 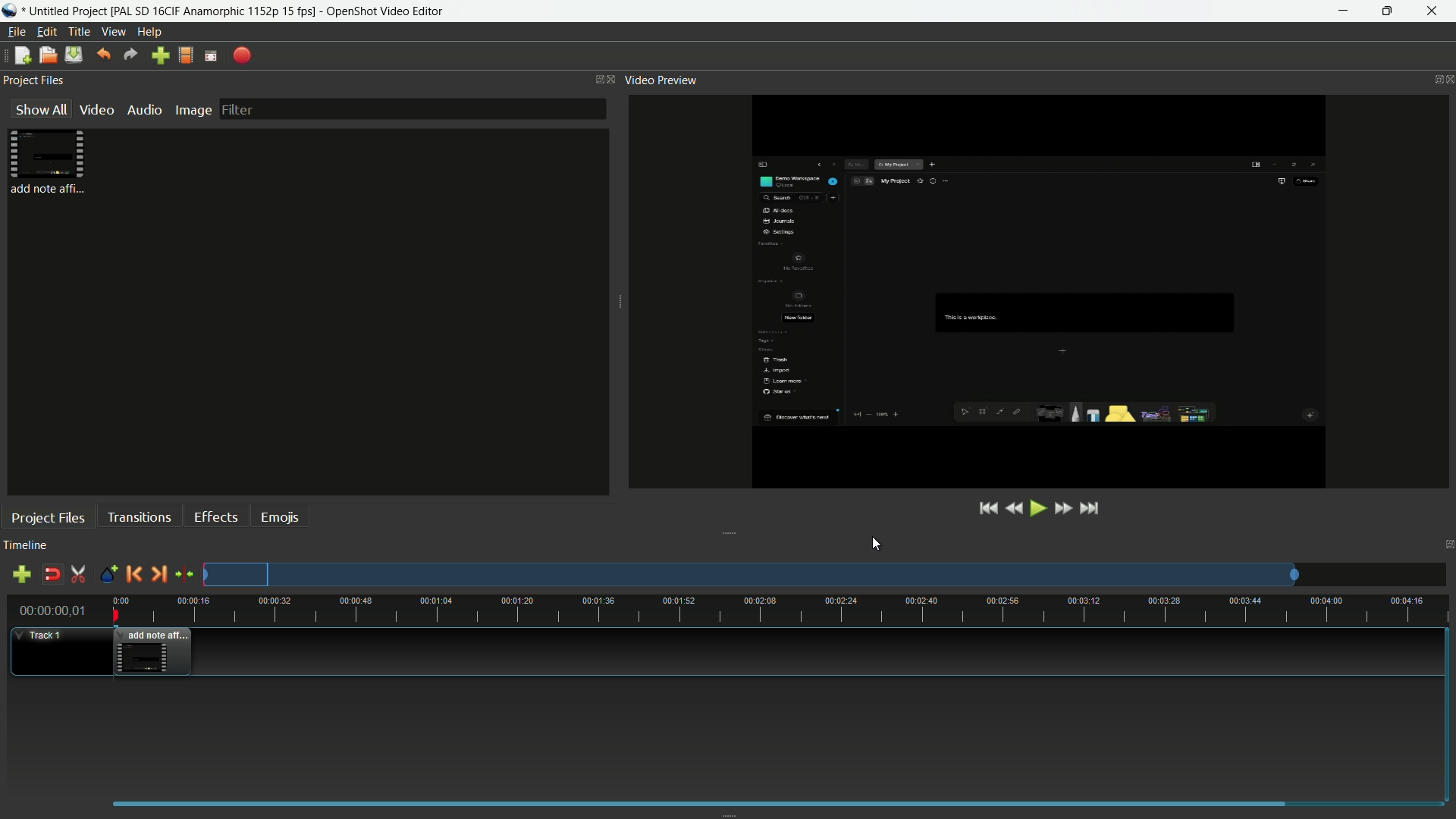 What do you see at coordinates (138, 518) in the screenshot?
I see `transitions` at bounding box center [138, 518].